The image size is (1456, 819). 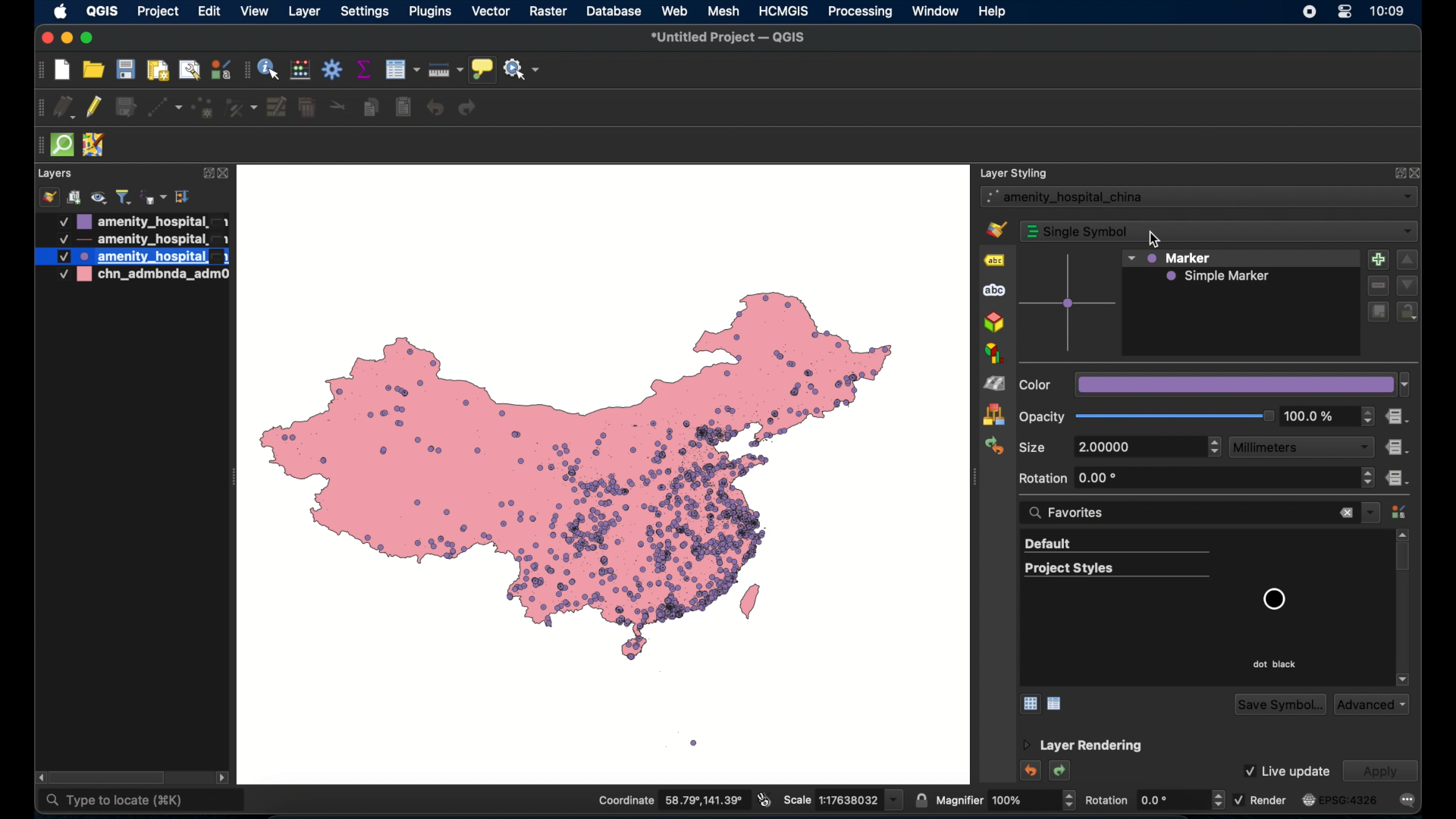 What do you see at coordinates (142, 221) in the screenshot?
I see `layer 1` at bounding box center [142, 221].